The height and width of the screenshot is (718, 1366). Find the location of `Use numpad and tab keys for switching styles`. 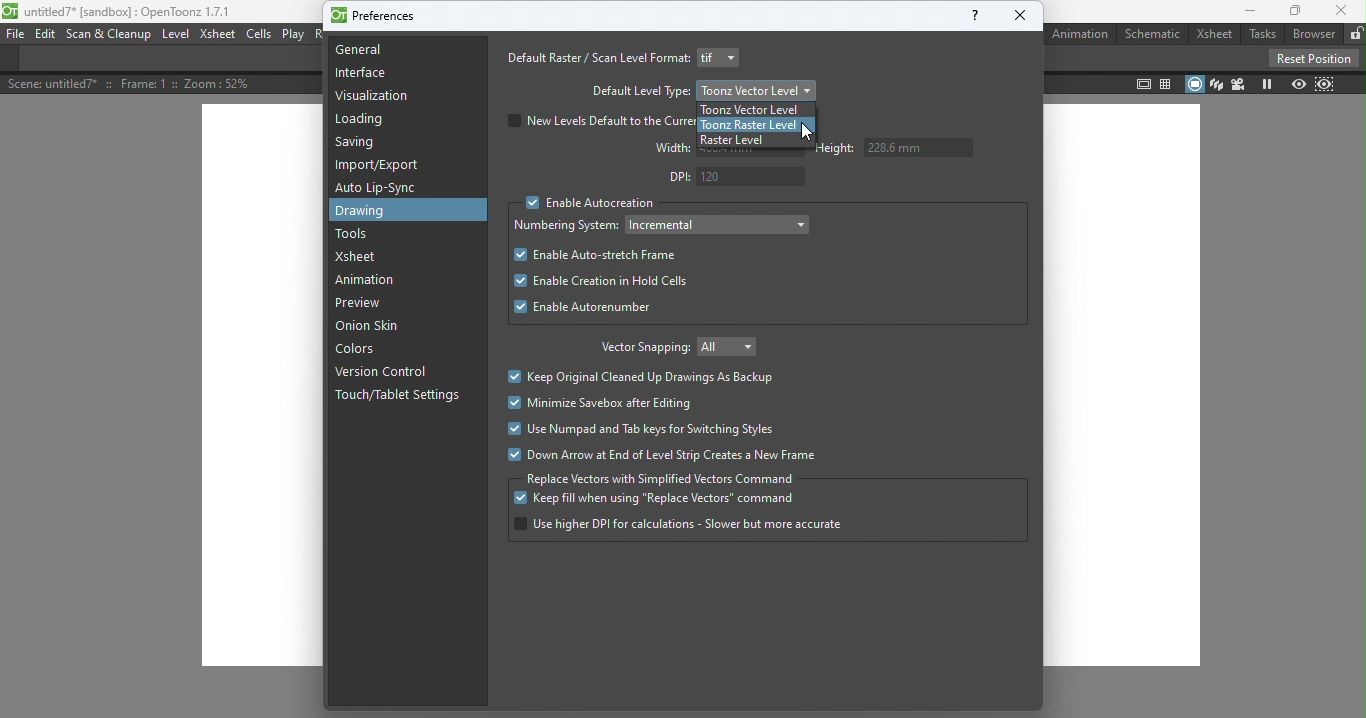

Use numpad and tab keys for switching styles is located at coordinates (646, 432).